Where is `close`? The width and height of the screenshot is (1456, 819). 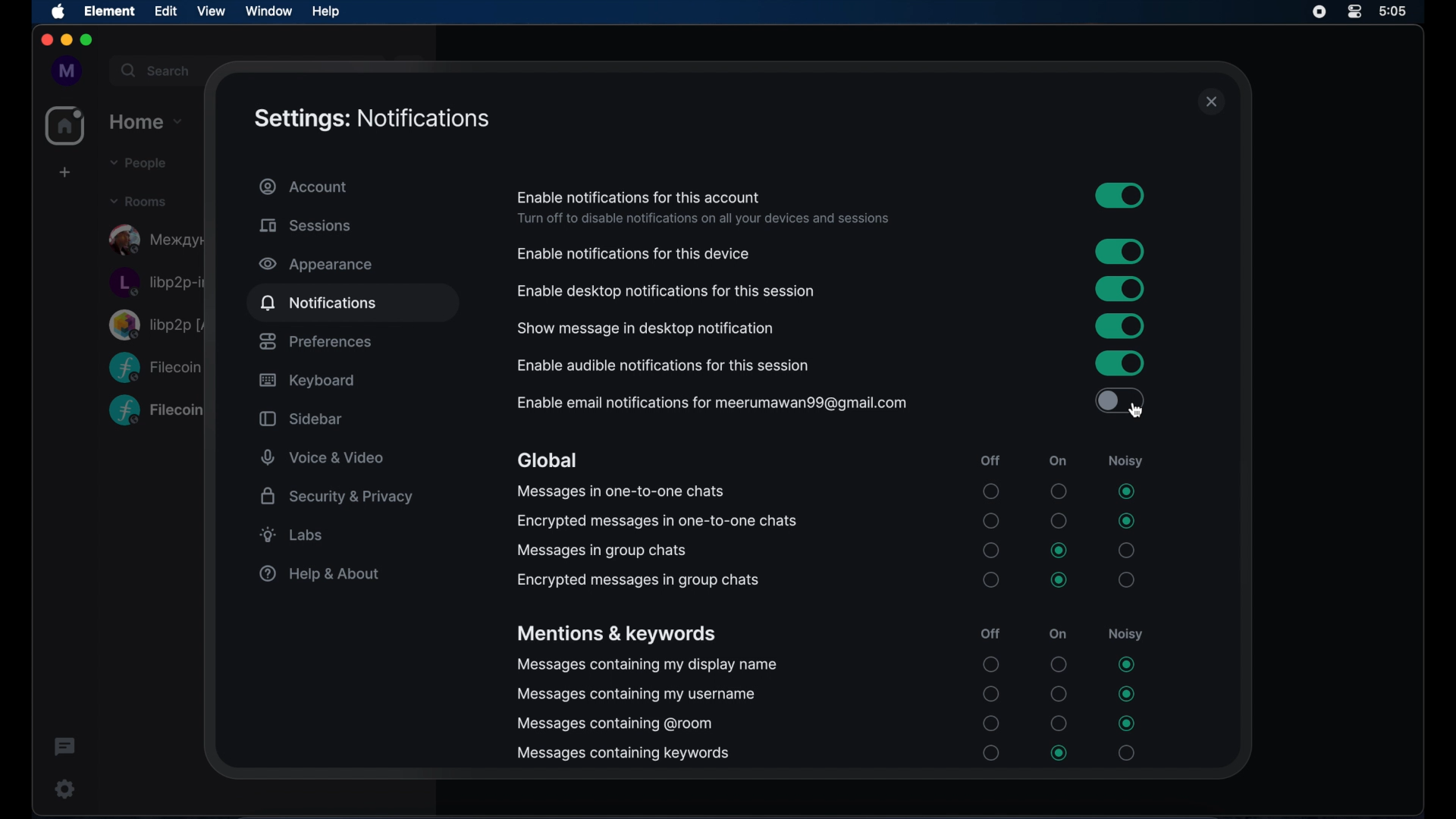
close is located at coordinates (45, 40).